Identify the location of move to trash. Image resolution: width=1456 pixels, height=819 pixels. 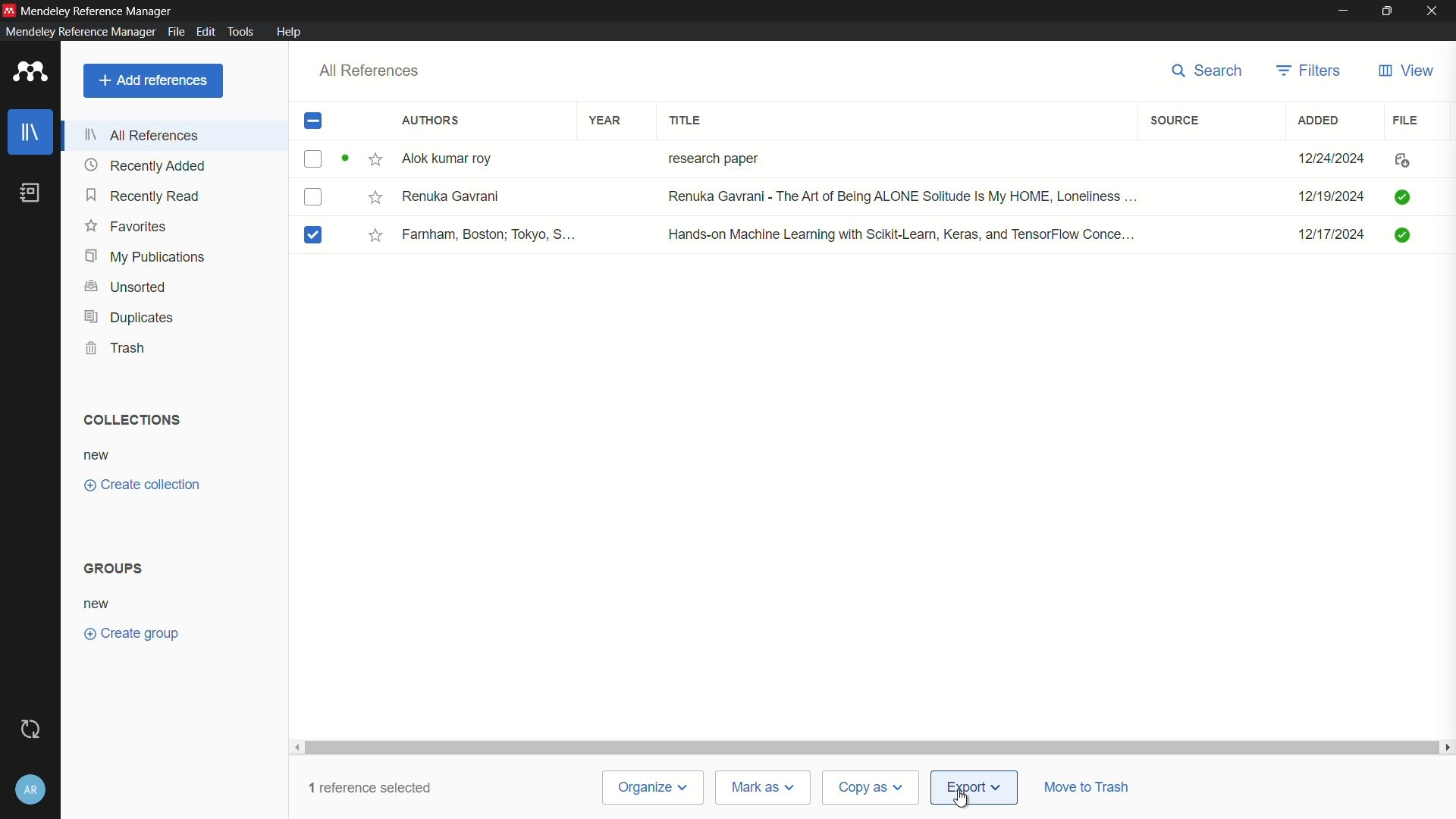
(1087, 786).